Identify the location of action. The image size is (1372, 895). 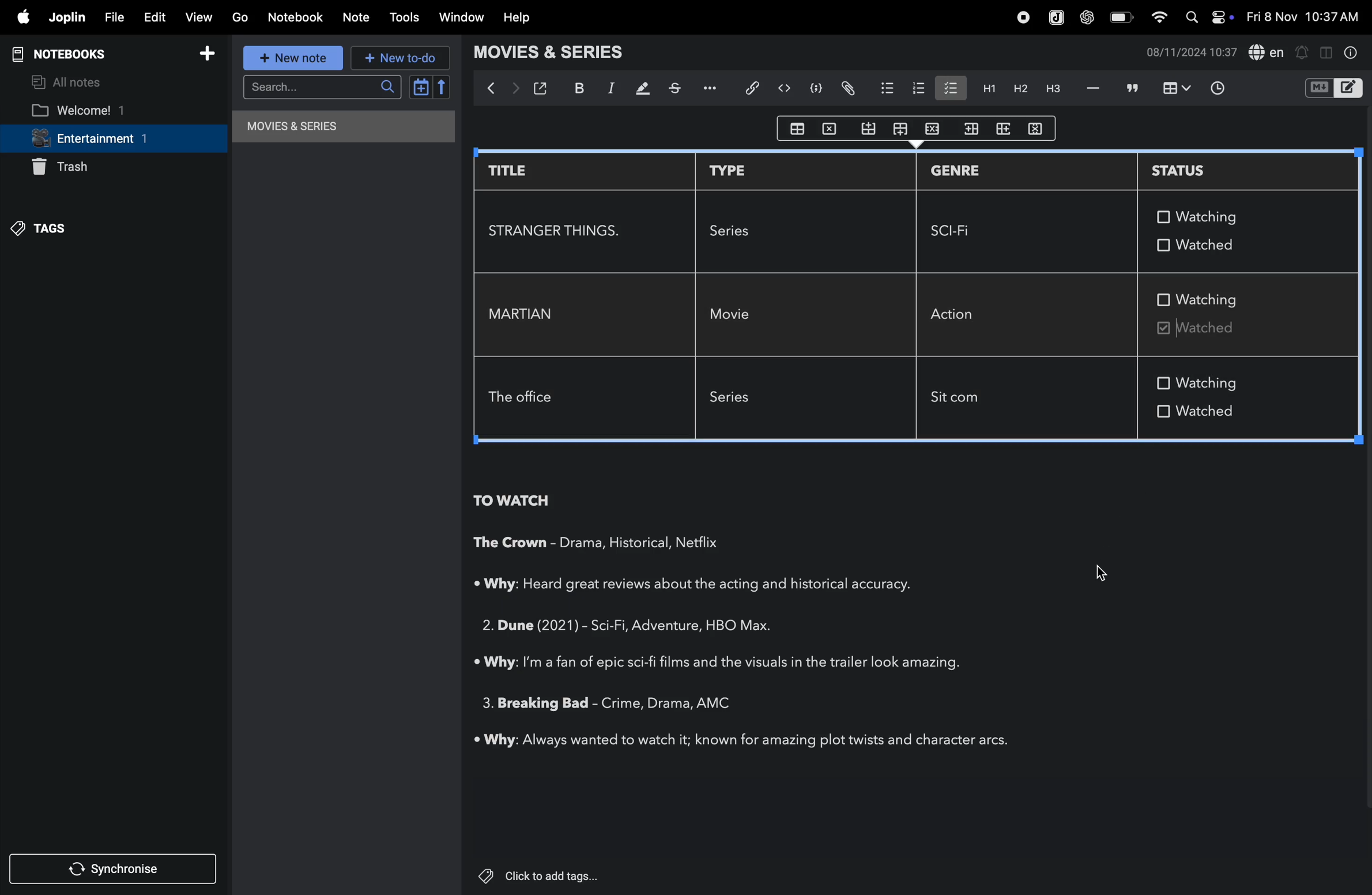
(963, 313).